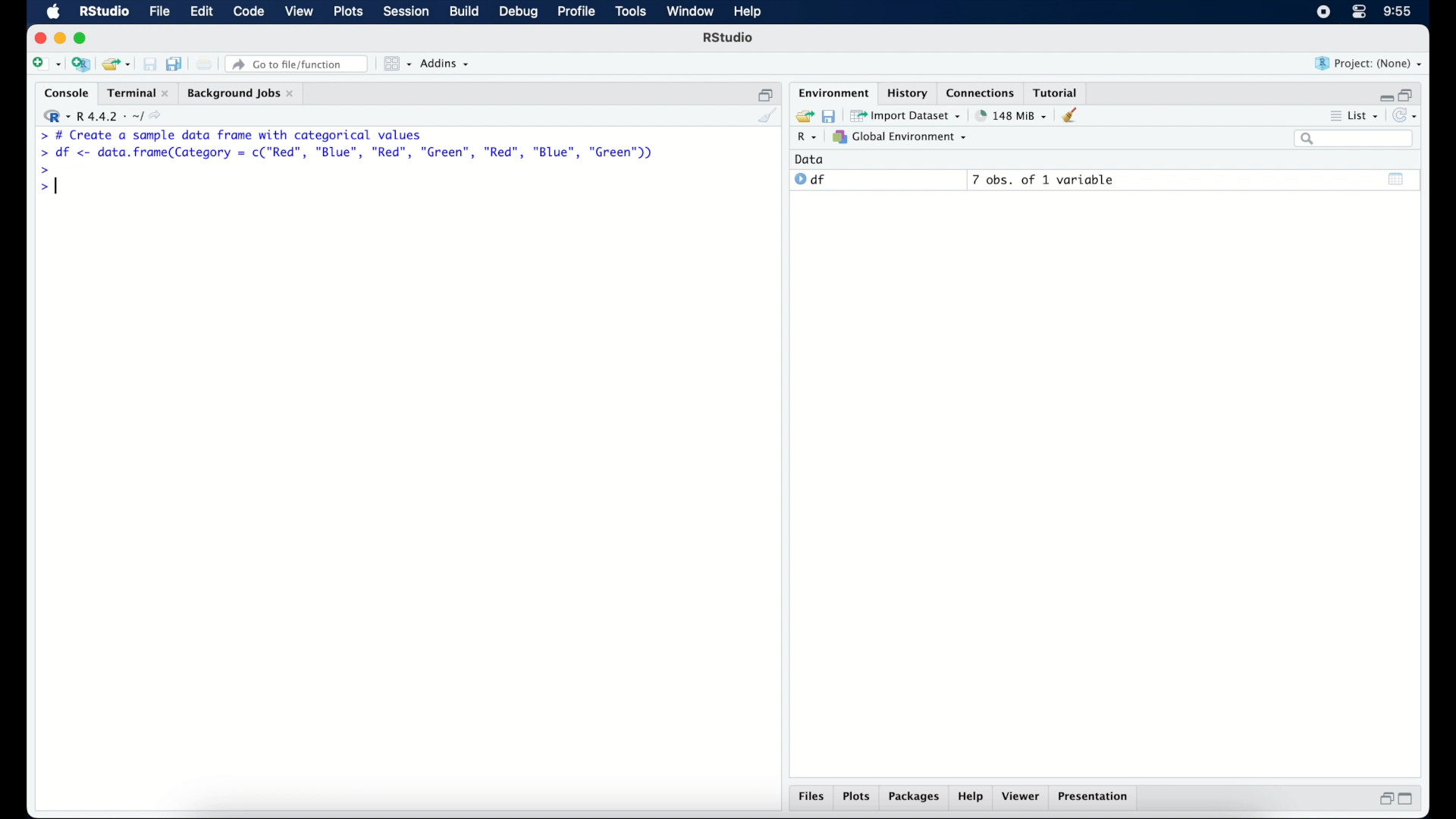 This screenshot has height=819, width=1456. I want to click on history, so click(909, 93).